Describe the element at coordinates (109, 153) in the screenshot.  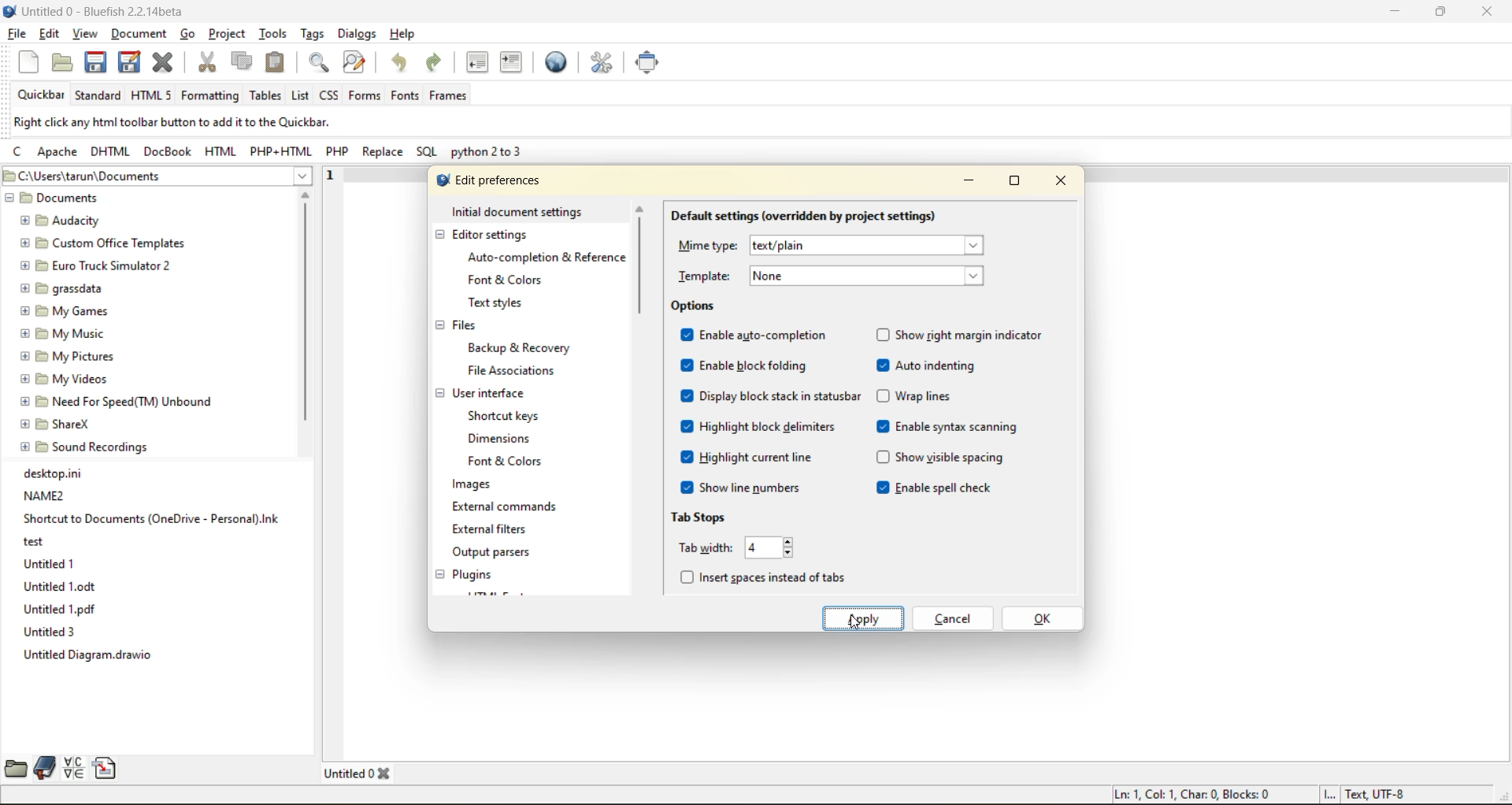
I see `dhtml` at that location.